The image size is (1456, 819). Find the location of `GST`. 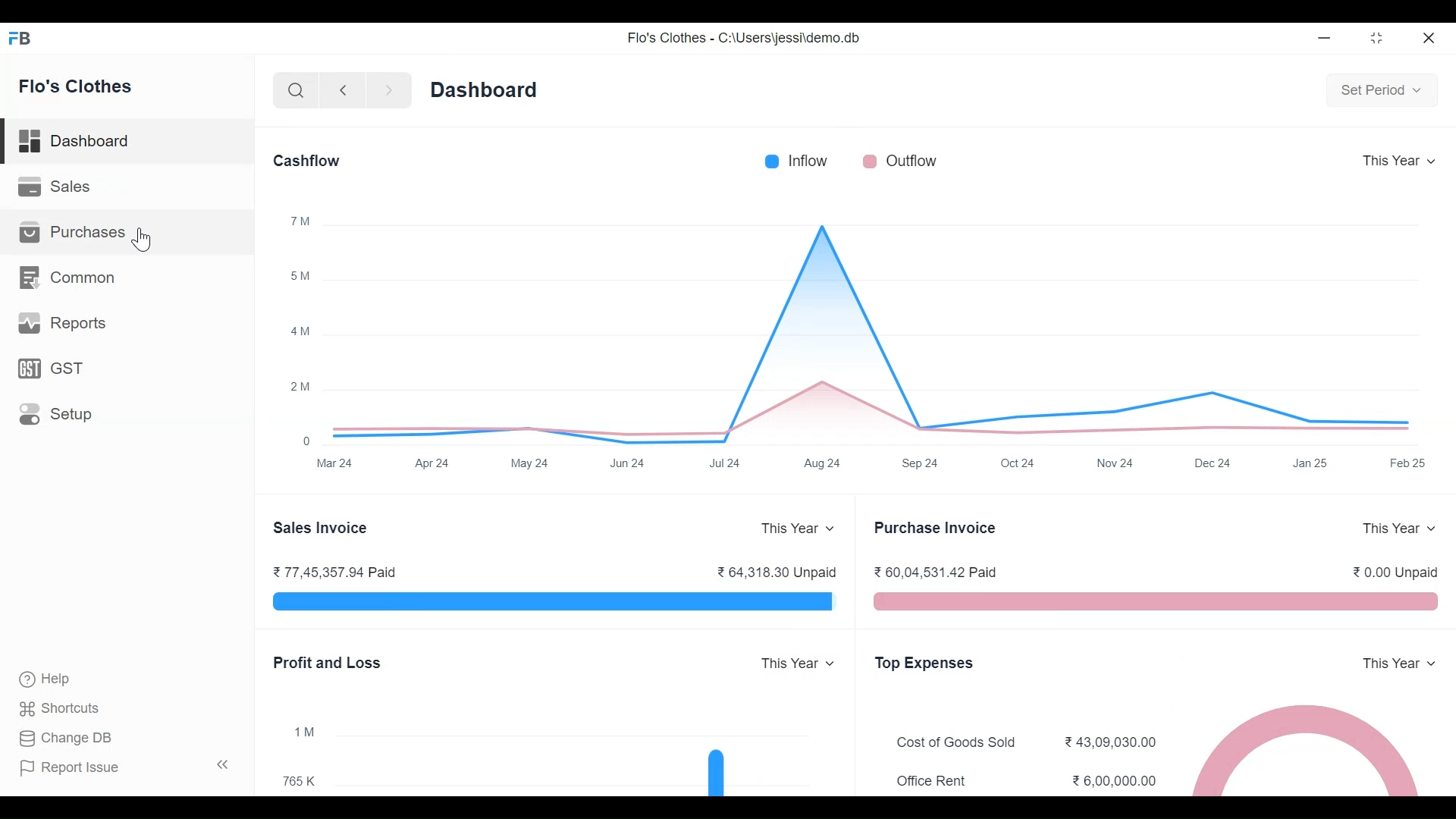

GST is located at coordinates (55, 368).